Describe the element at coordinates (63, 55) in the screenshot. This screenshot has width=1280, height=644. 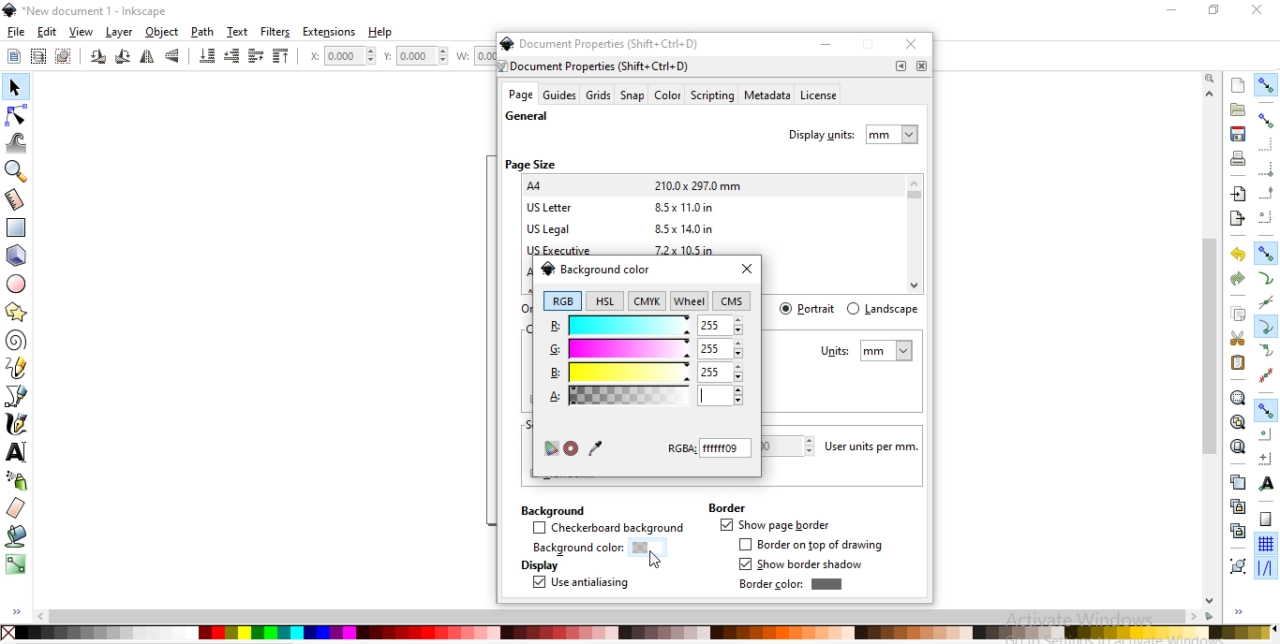
I see `deselct any selected objects or nodes` at that location.